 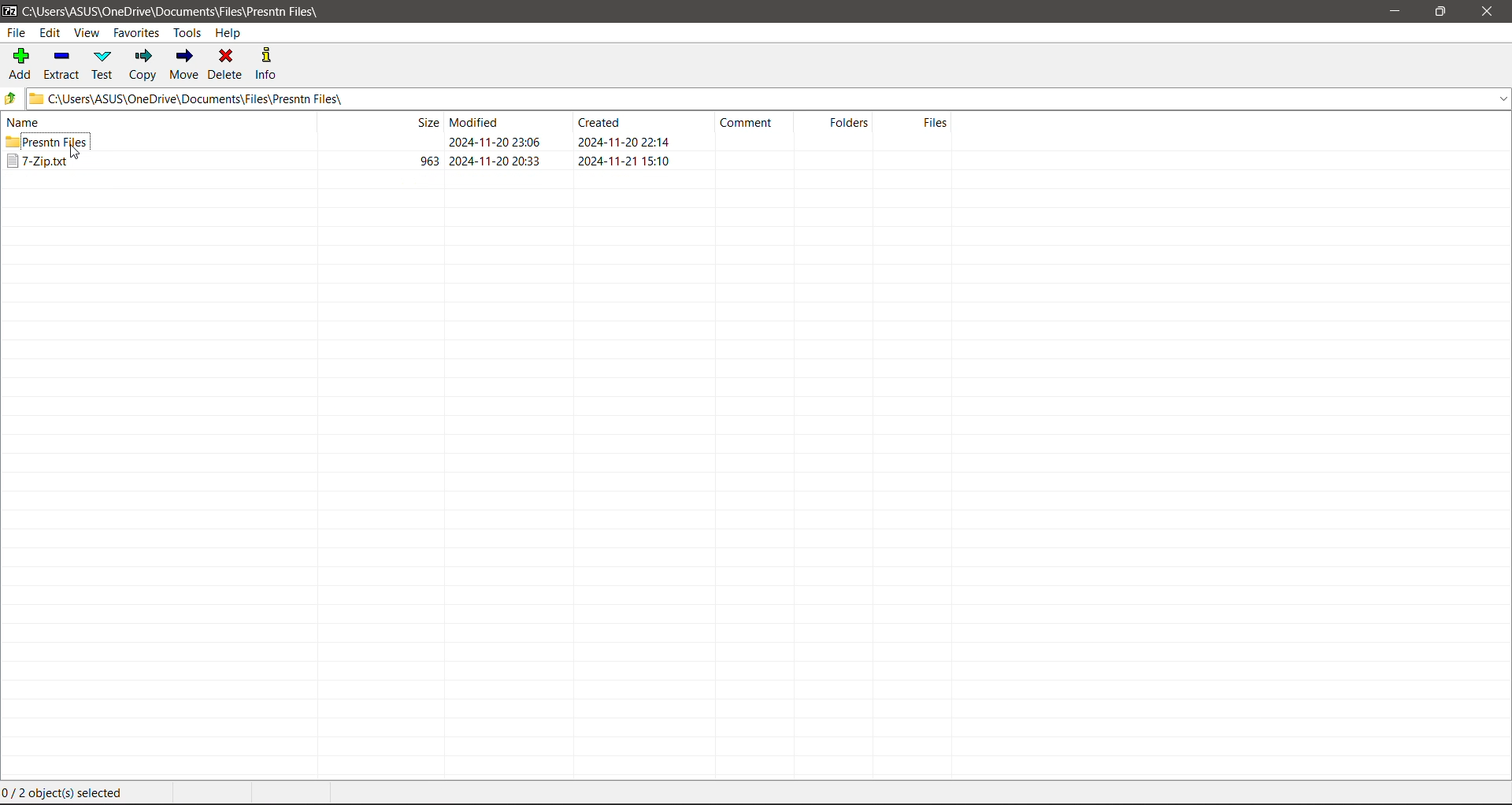 What do you see at coordinates (419, 122) in the screenshot?
I see `size` at bounding box center [419, 122].